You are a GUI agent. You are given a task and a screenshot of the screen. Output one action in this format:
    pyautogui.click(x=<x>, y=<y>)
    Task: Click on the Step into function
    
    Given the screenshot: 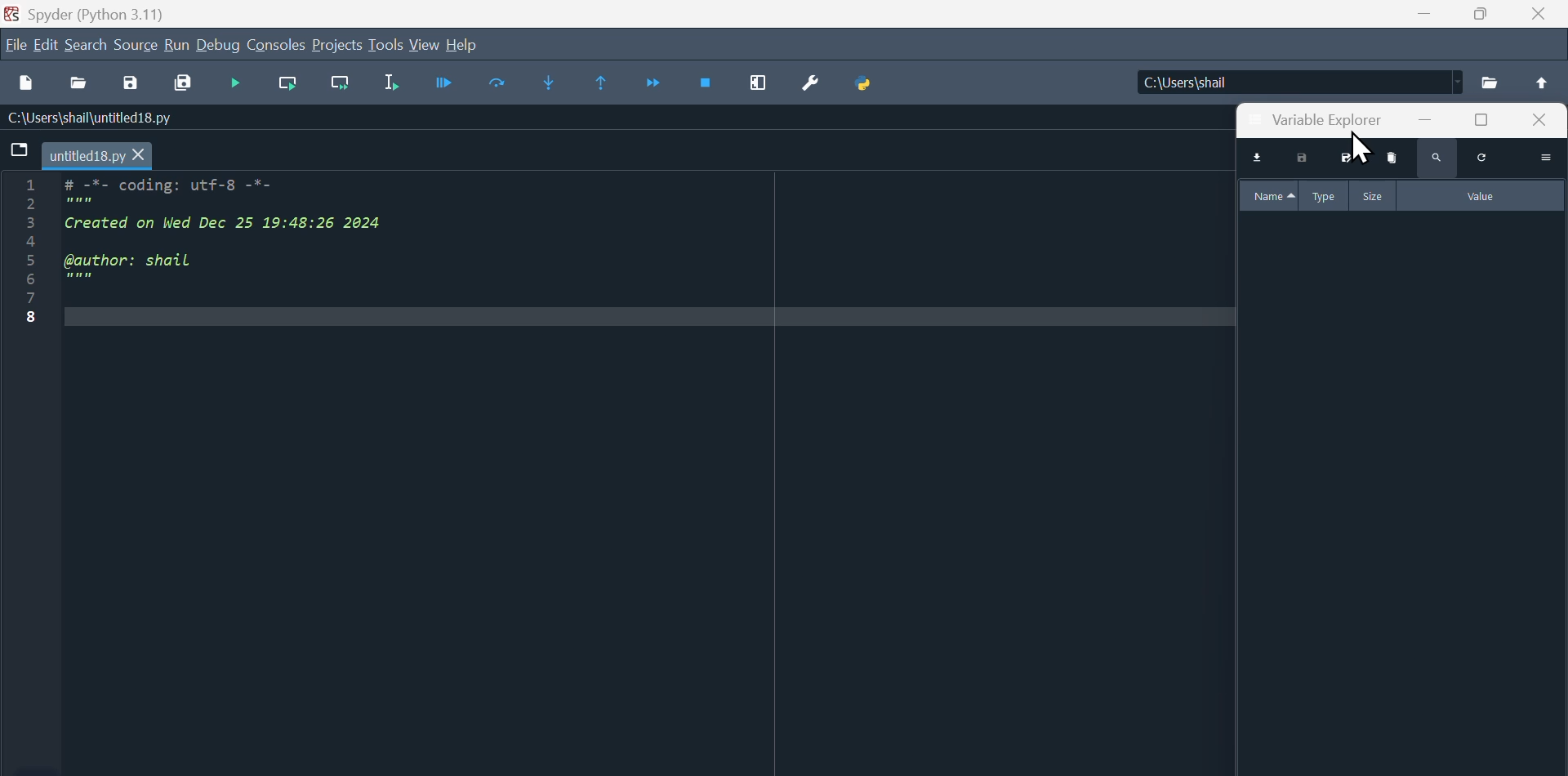 What is the action you would take?
    pyautogui.click(x=562, y=87)
    